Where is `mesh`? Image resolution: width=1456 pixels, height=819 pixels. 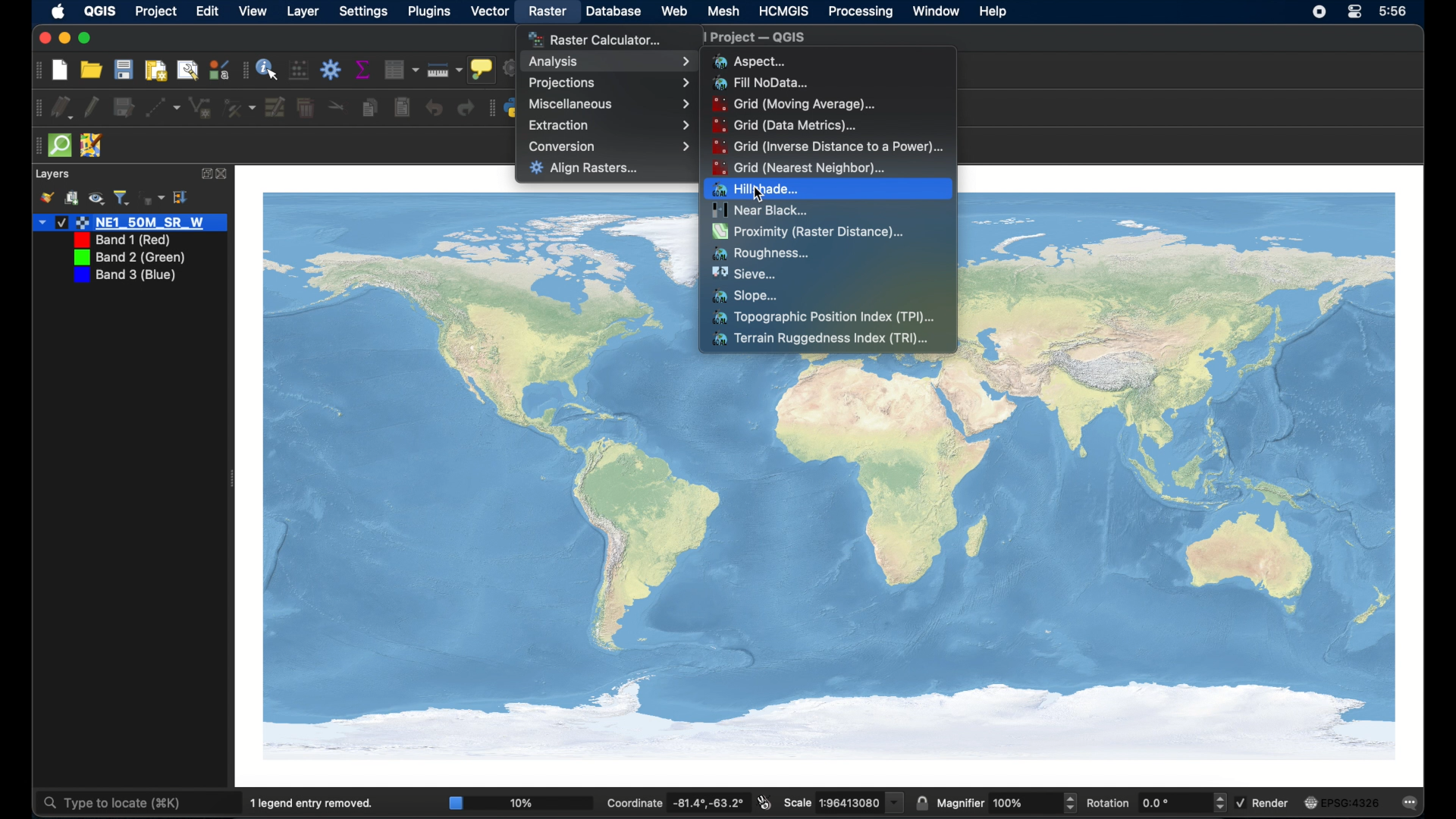
mesh is located at coordinates (723, 11).